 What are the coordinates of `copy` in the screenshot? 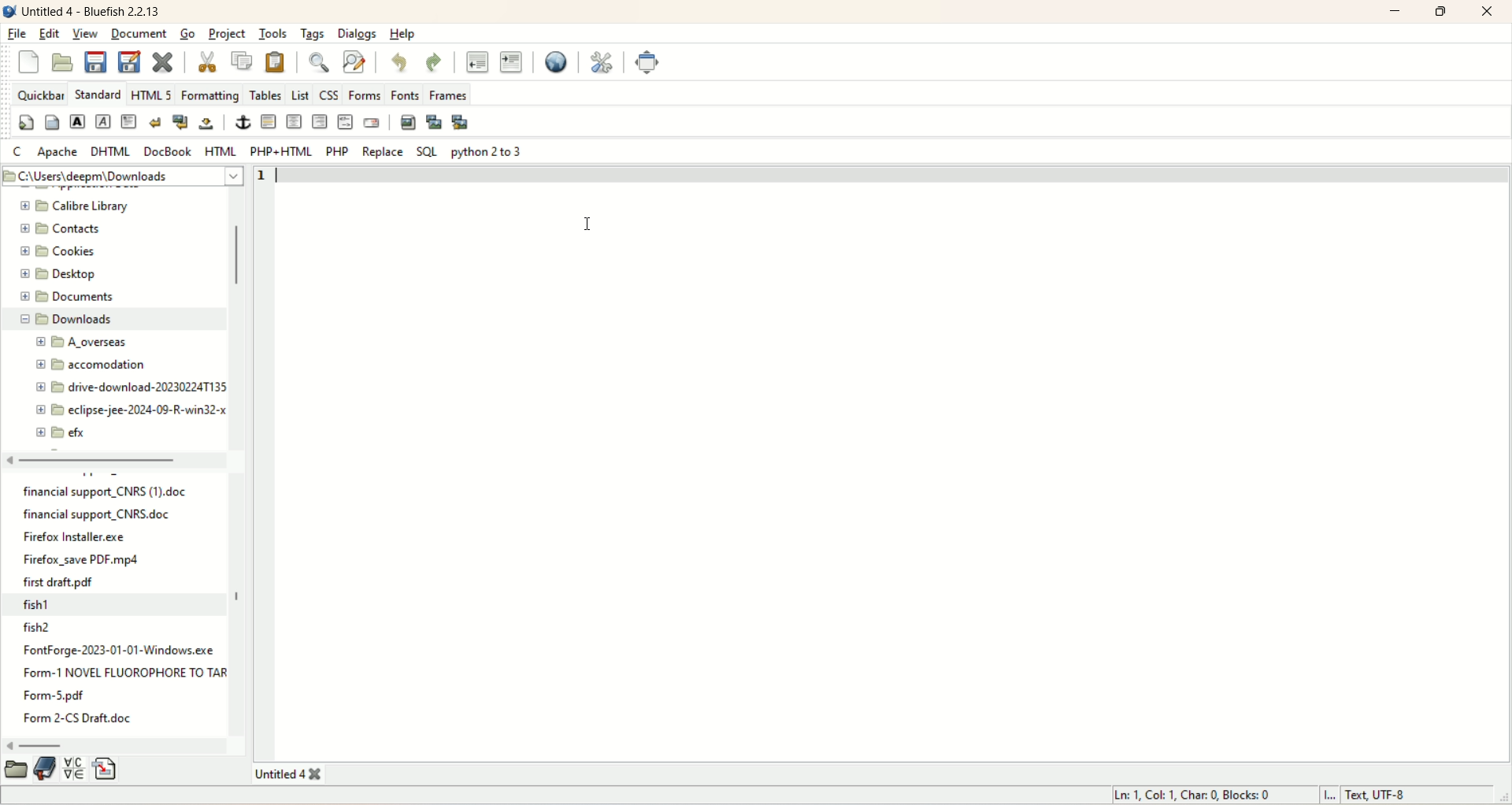 It's located at (243, 60).